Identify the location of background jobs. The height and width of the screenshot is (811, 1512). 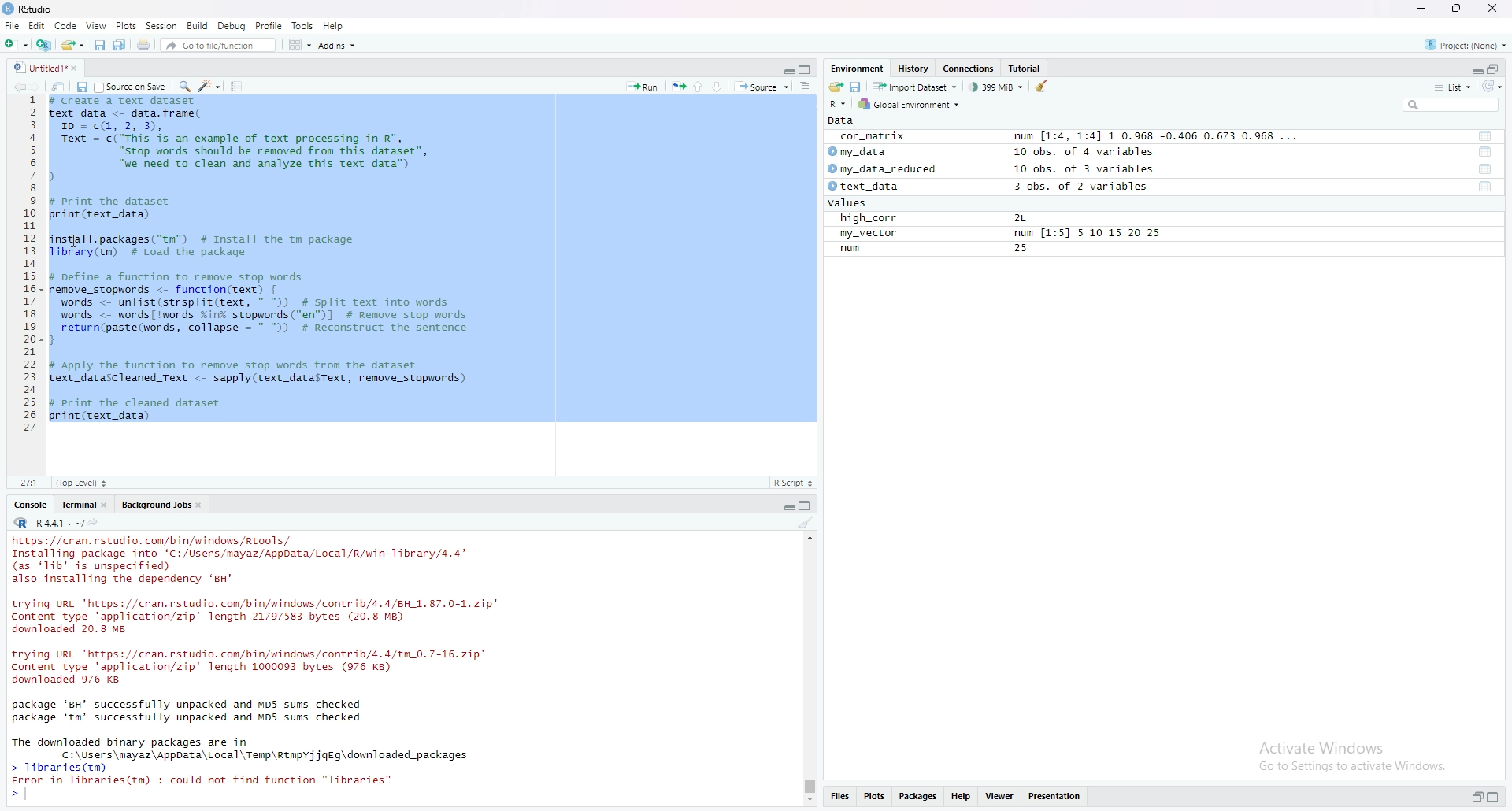
(162, 506).